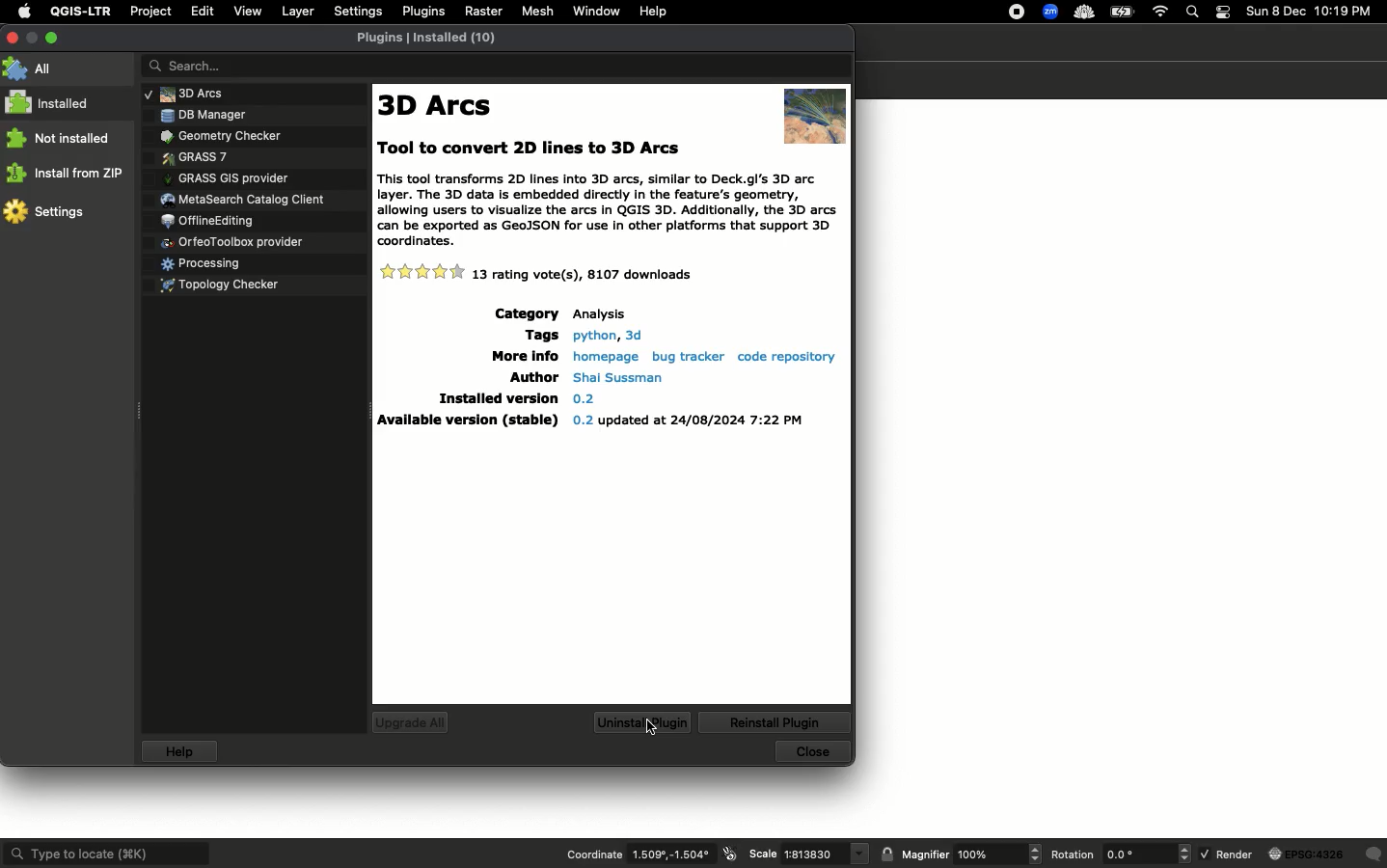 The width and height of the screenshot is (1387, 868). What do you see at coordinates (81, 13) in the screenshot?
I see `QGIS` at bounding box center [81, 13].